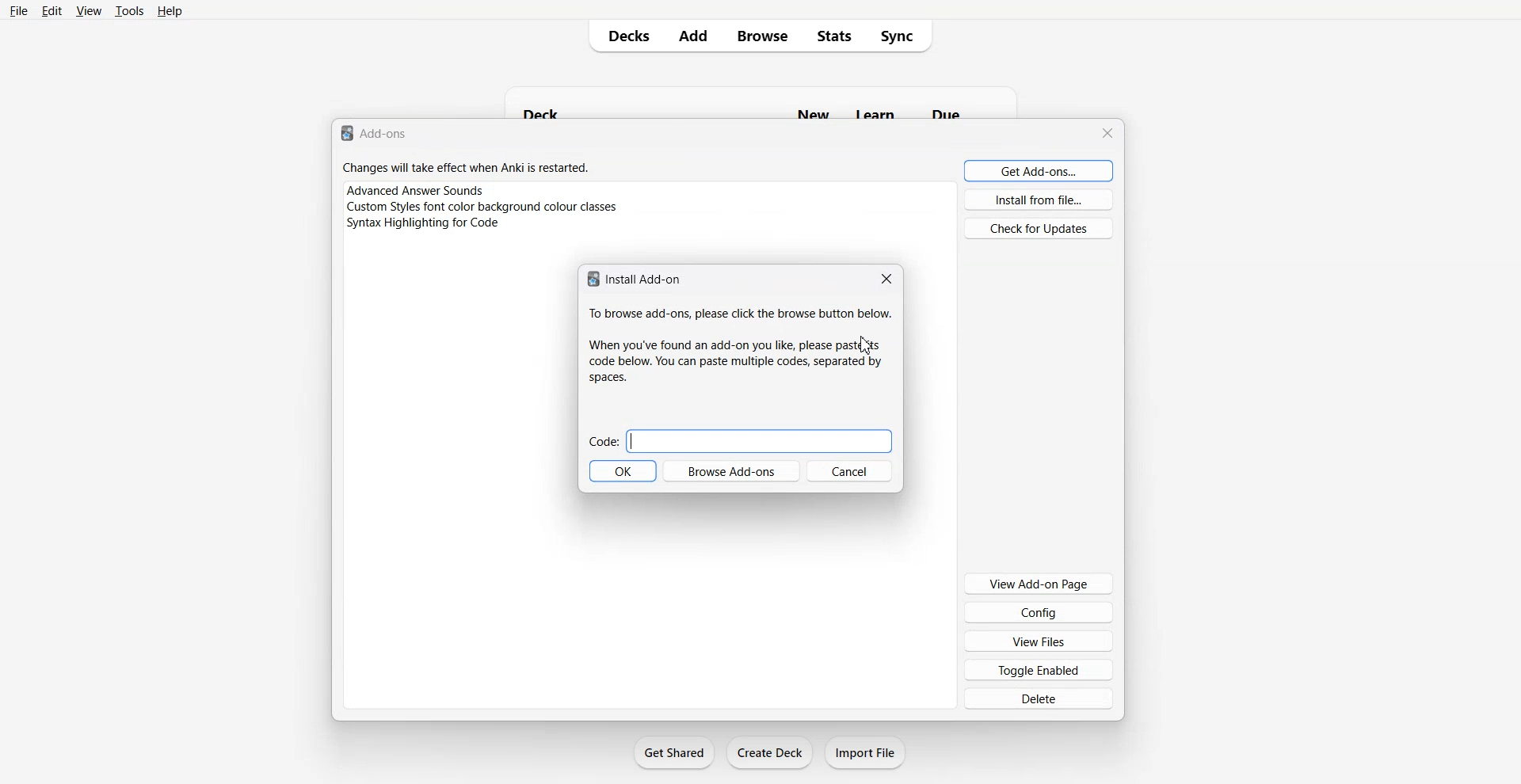 The image size is (1521, 784). I want to click on learn, so click(872, 113).